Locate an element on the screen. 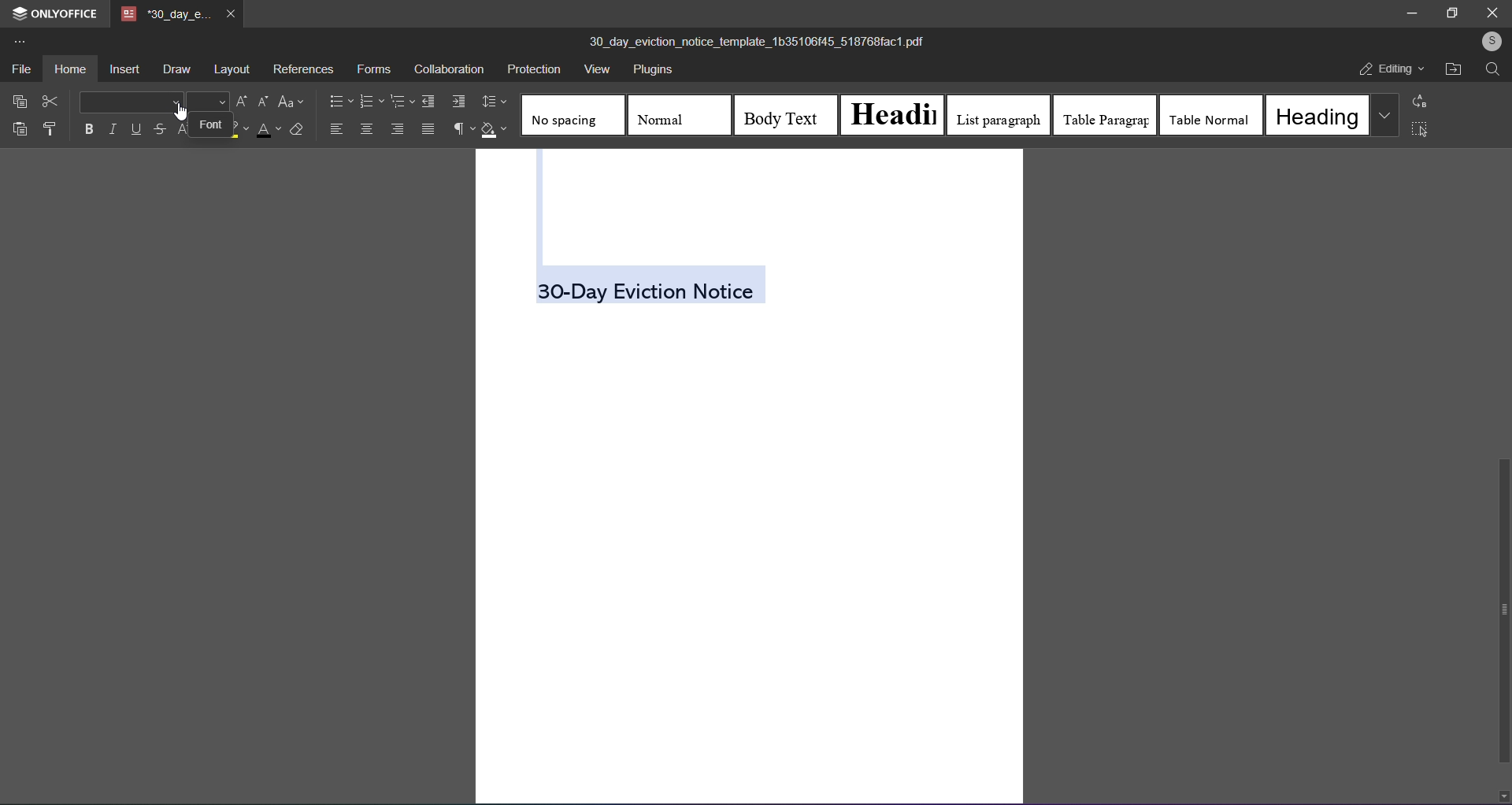 Image resolution: width=1512 pixels, height=805 pixels. more is located at coordinates (1384, 114).